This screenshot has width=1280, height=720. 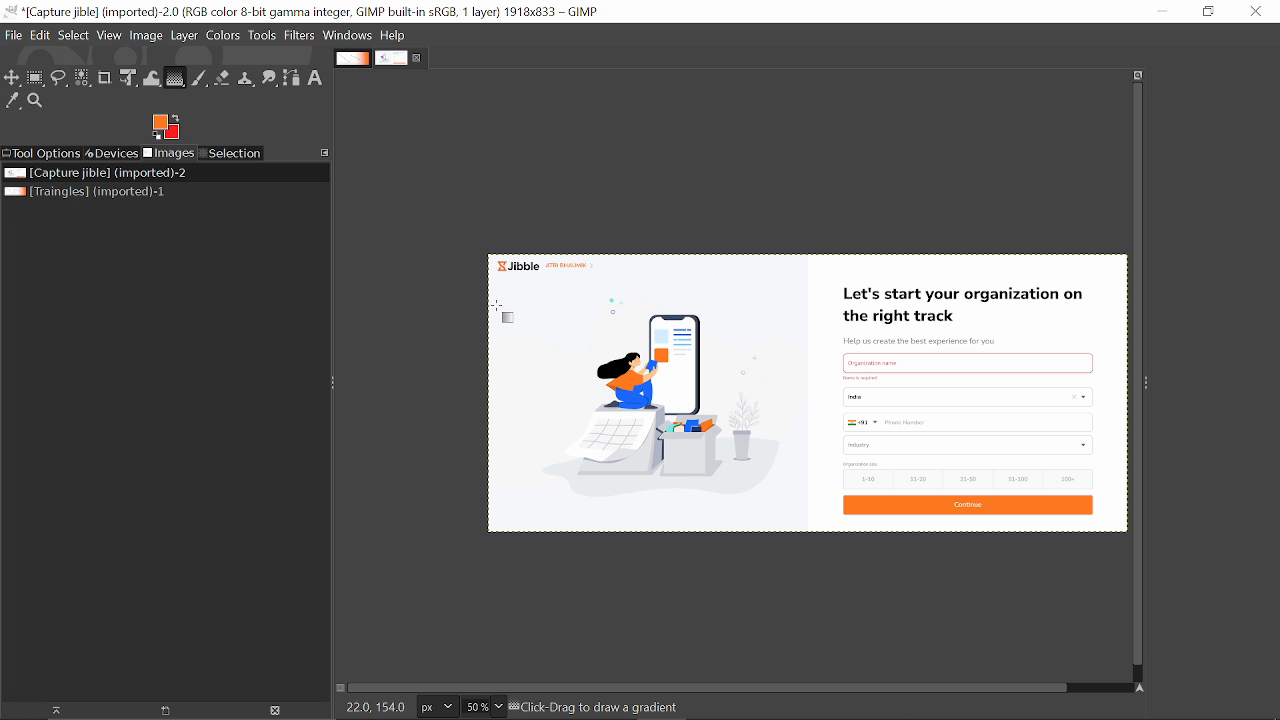 What do you see at coordinates (278, 711) in the screenshot?
I see `Delete  the image` at bounding box center [278, 711].